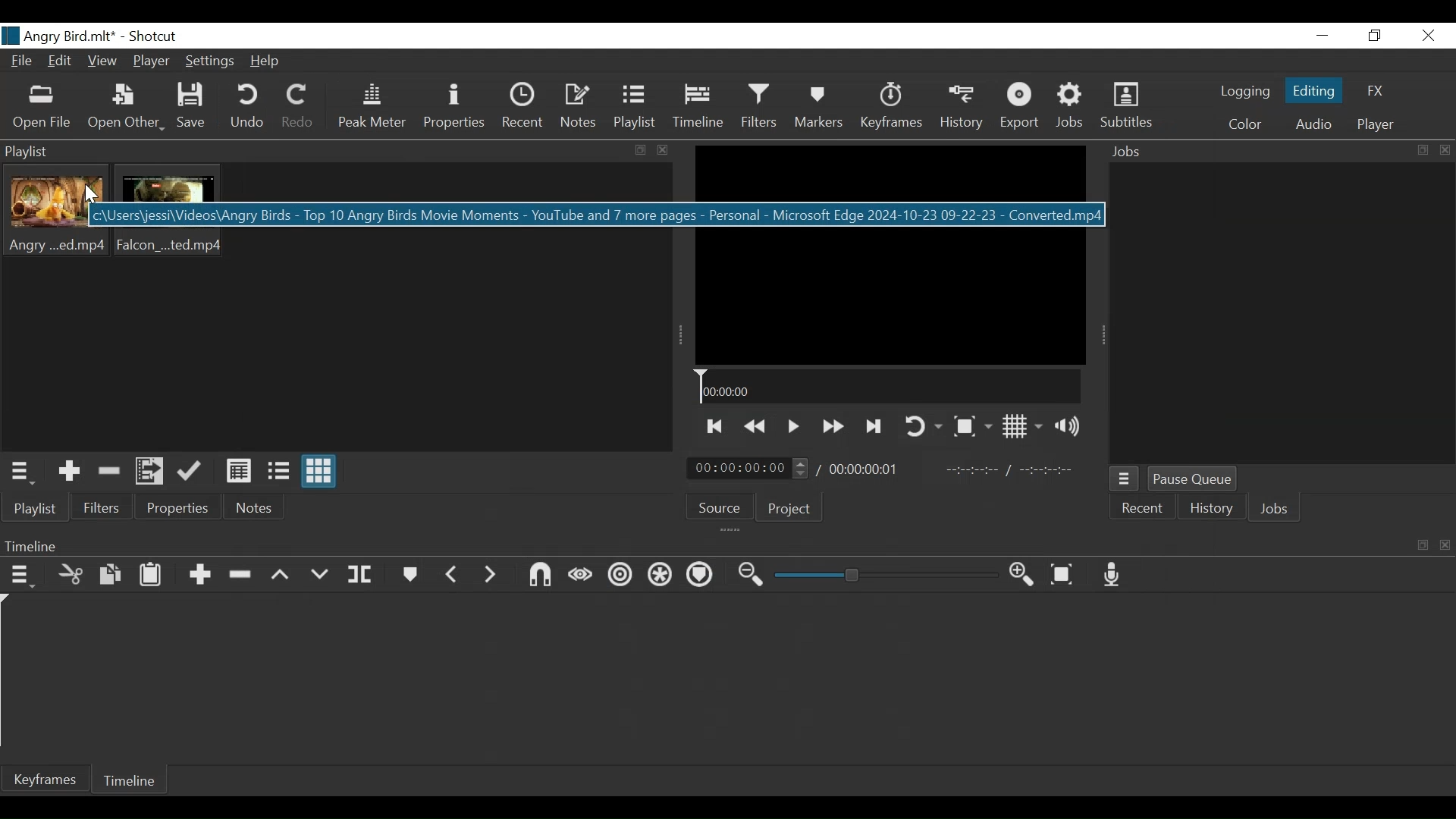 The height and width of the screenshot is (819, 1456). Describe the element at coordinates (284, 575) in the screenshot. I see `Lift` at that location.